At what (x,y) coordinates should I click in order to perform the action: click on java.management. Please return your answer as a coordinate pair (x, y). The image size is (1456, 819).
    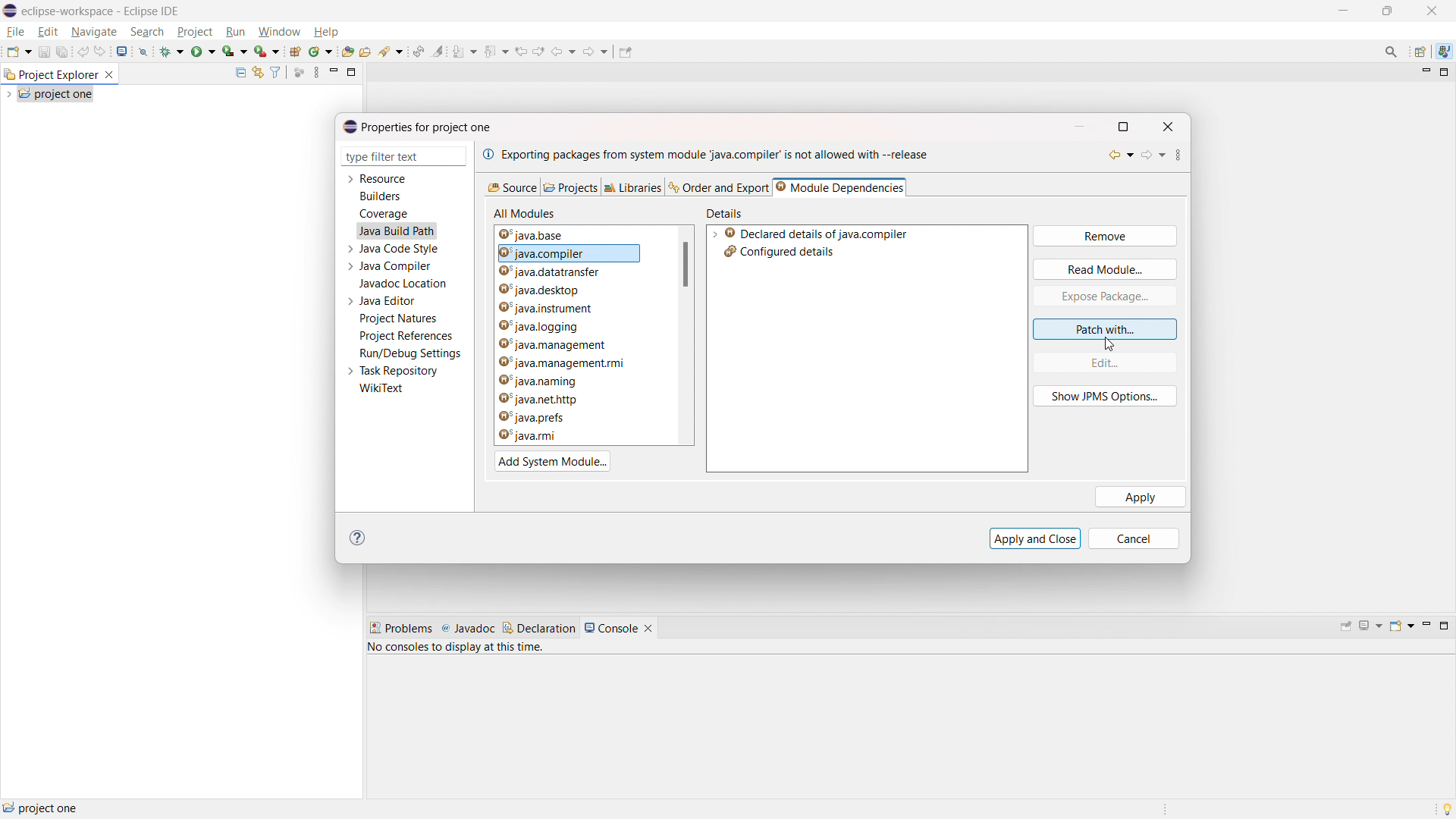
    Looking at the image, I should click on (570, 344).